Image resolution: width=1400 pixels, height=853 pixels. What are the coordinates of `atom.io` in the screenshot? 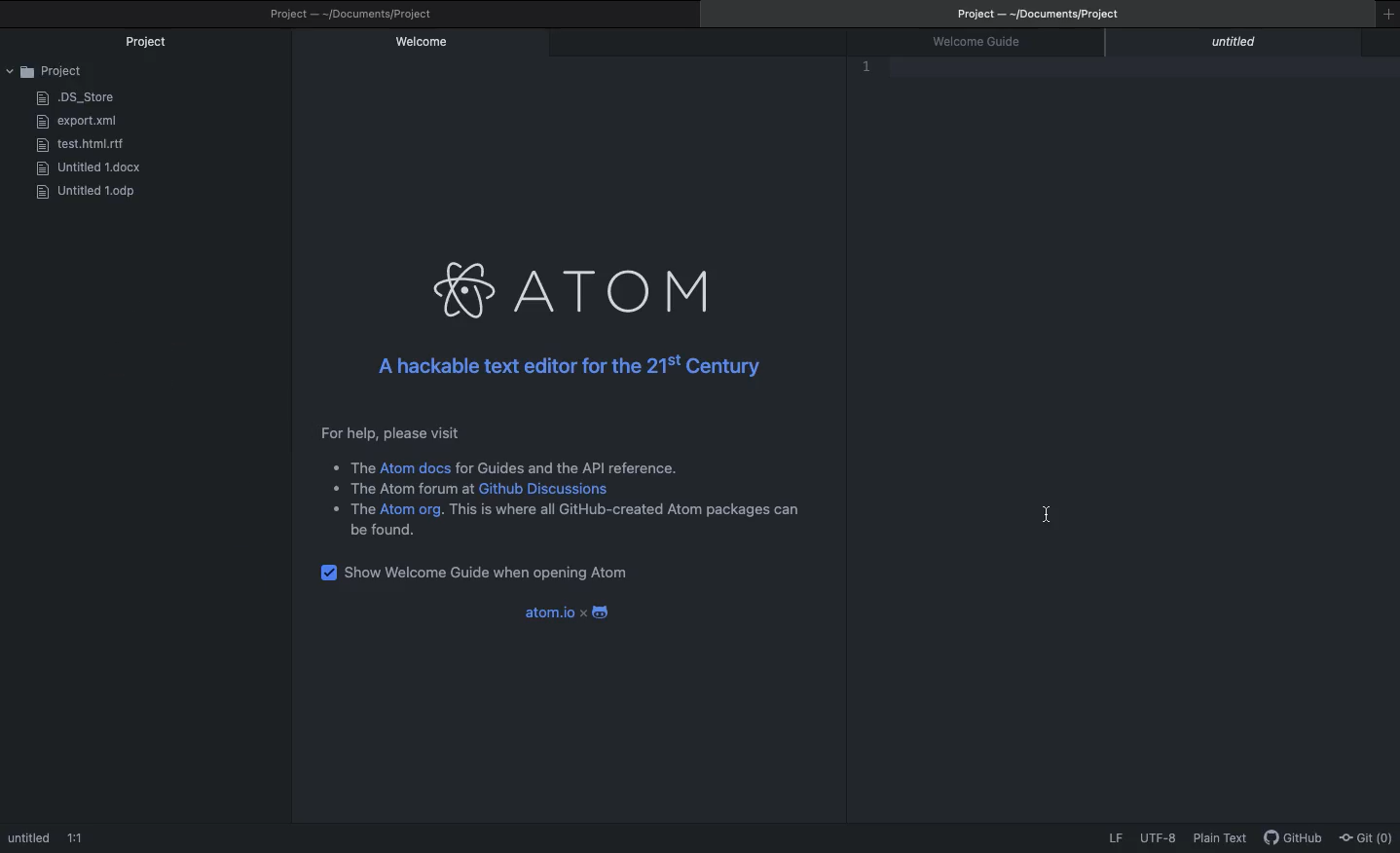 It's located at (566, 613).